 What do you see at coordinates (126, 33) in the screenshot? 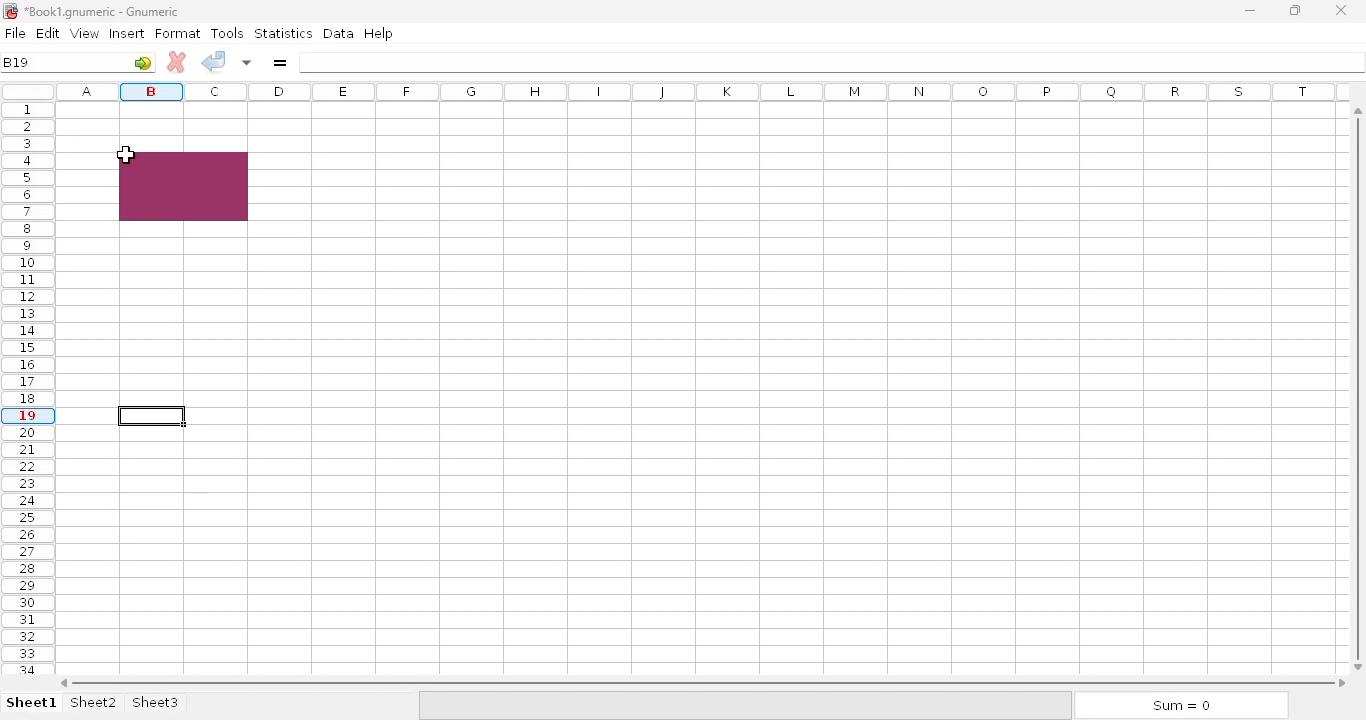
I see `insert` at bounding box center [126, 33].